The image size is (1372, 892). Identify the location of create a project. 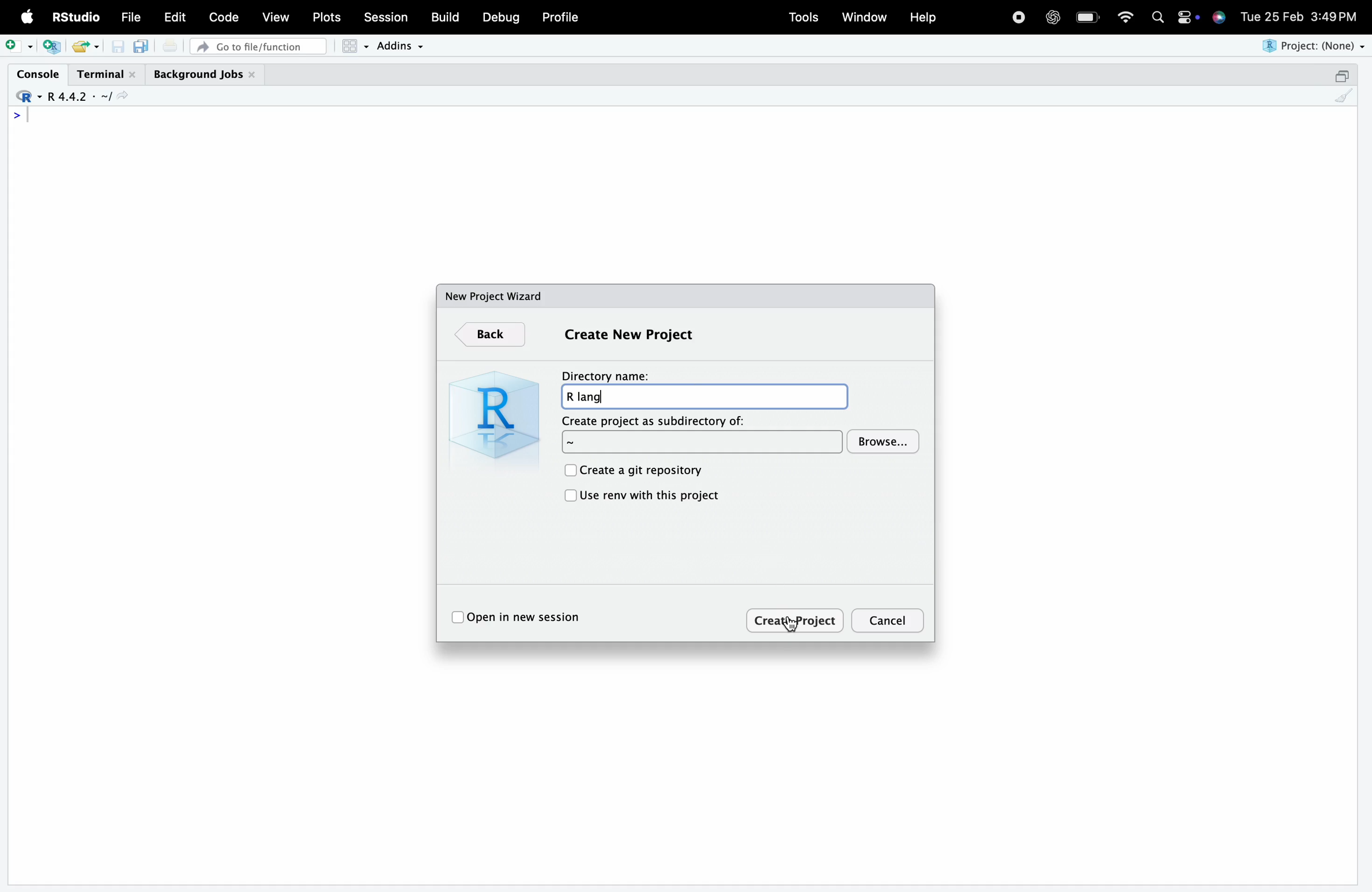
(52, 47).